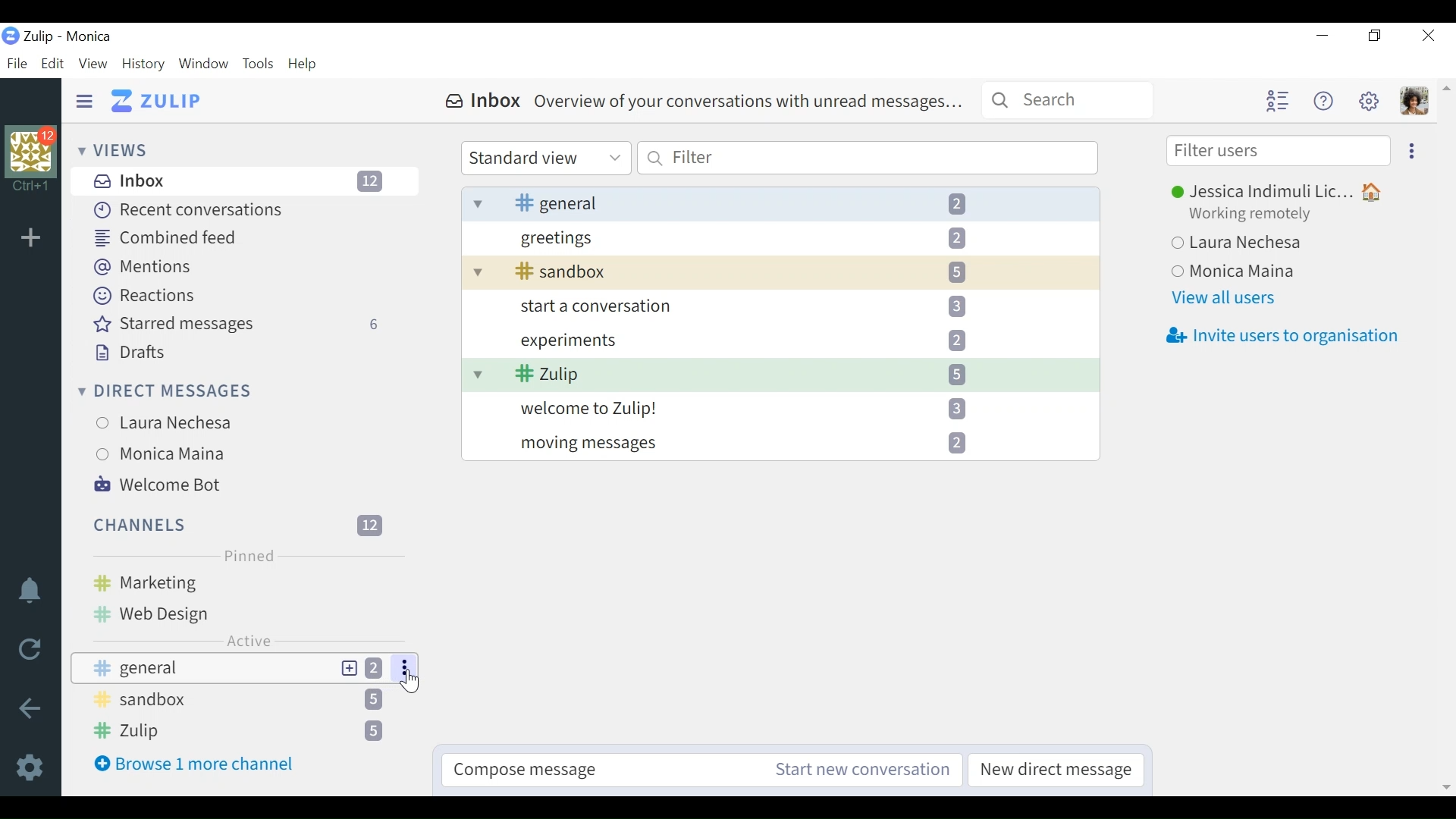 Image resolution: width=1456 pixels, height=819 pixels. I want to click on Compose message, so click(606, 770).